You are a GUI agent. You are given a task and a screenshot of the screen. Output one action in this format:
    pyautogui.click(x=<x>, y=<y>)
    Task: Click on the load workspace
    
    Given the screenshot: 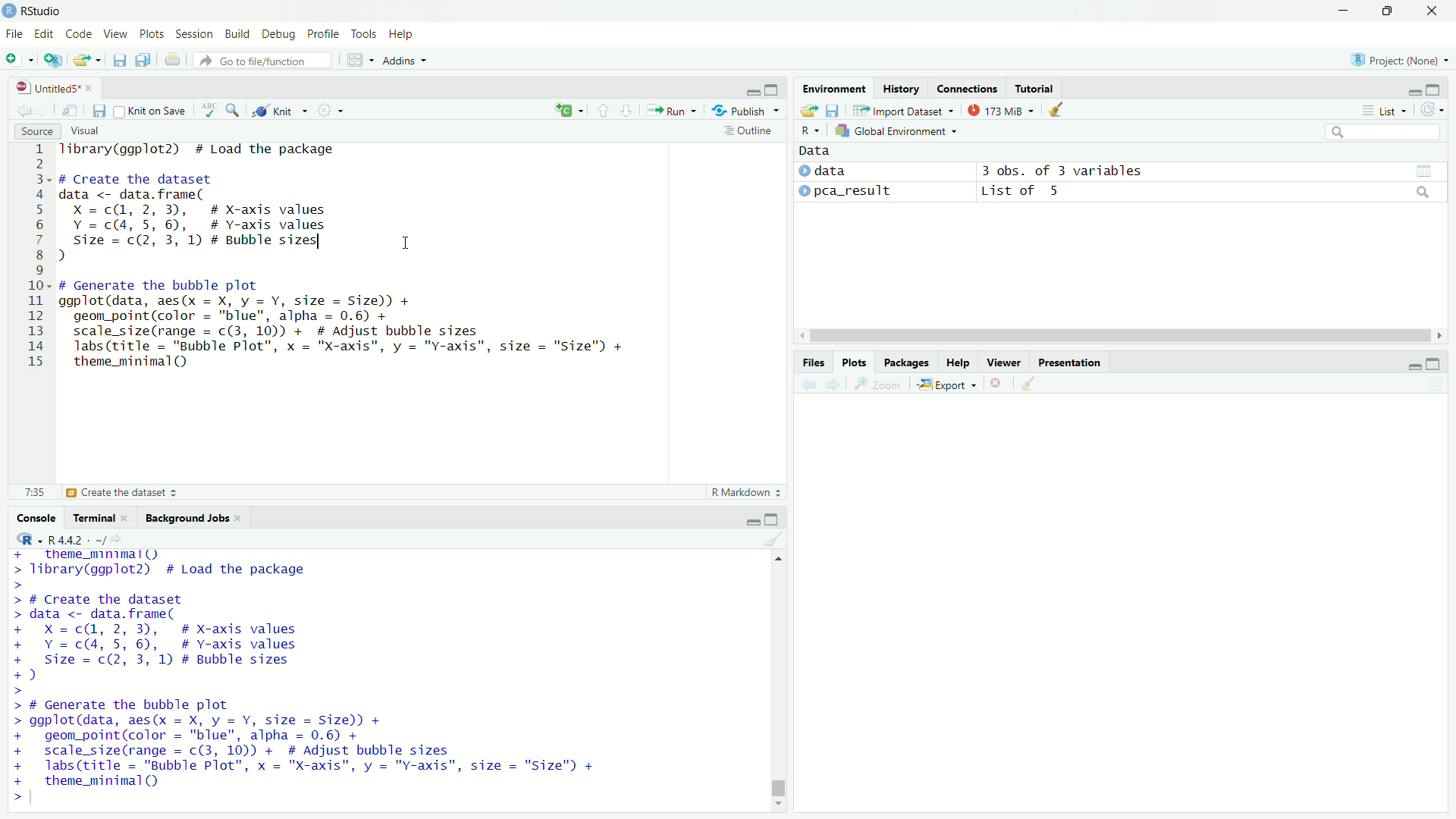 What is the action you would take?
    pyautogui.click(x=808, y=111)
    